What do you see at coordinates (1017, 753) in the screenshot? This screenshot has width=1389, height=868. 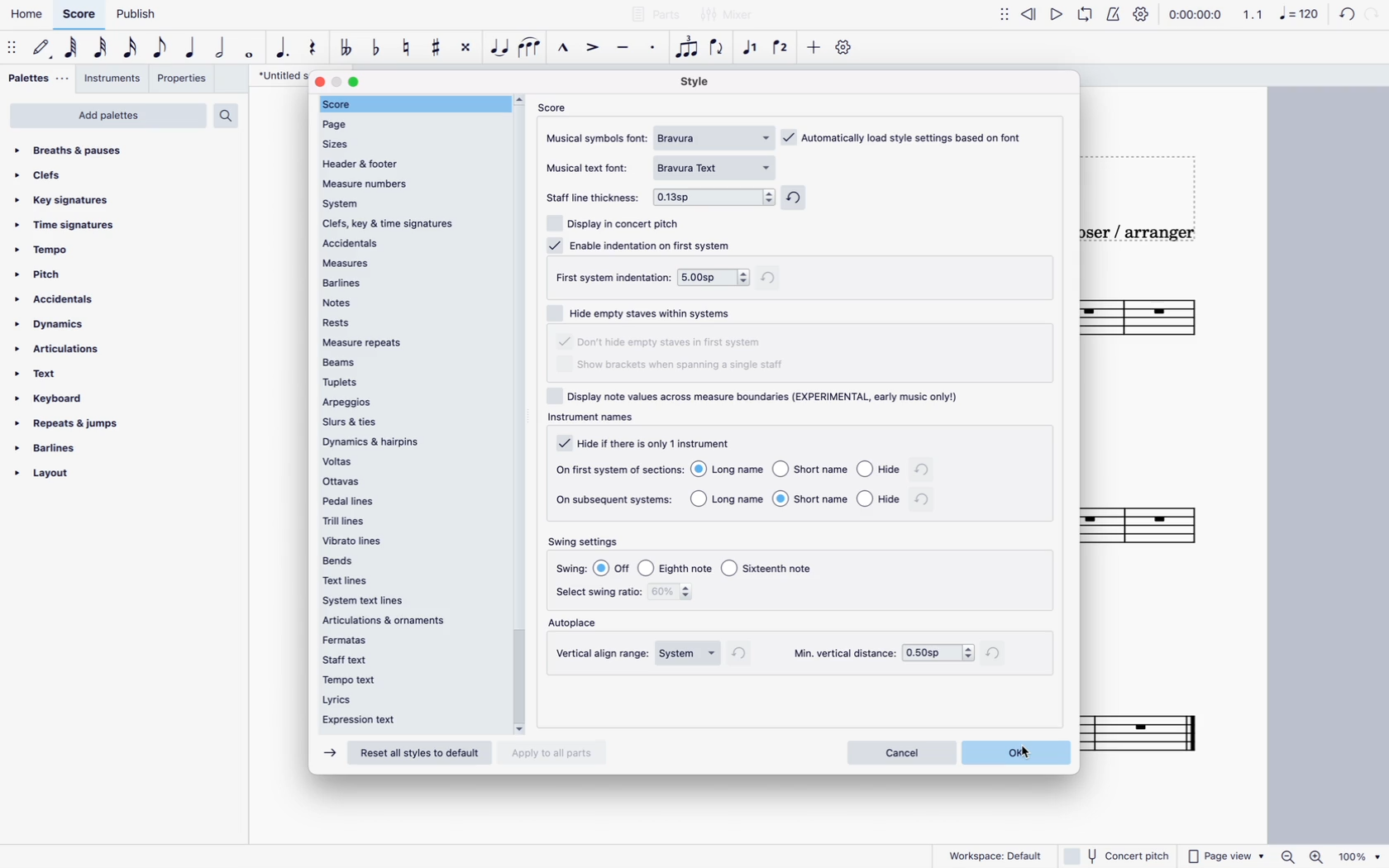 I see `ok` at bounding box center [1017, 753].